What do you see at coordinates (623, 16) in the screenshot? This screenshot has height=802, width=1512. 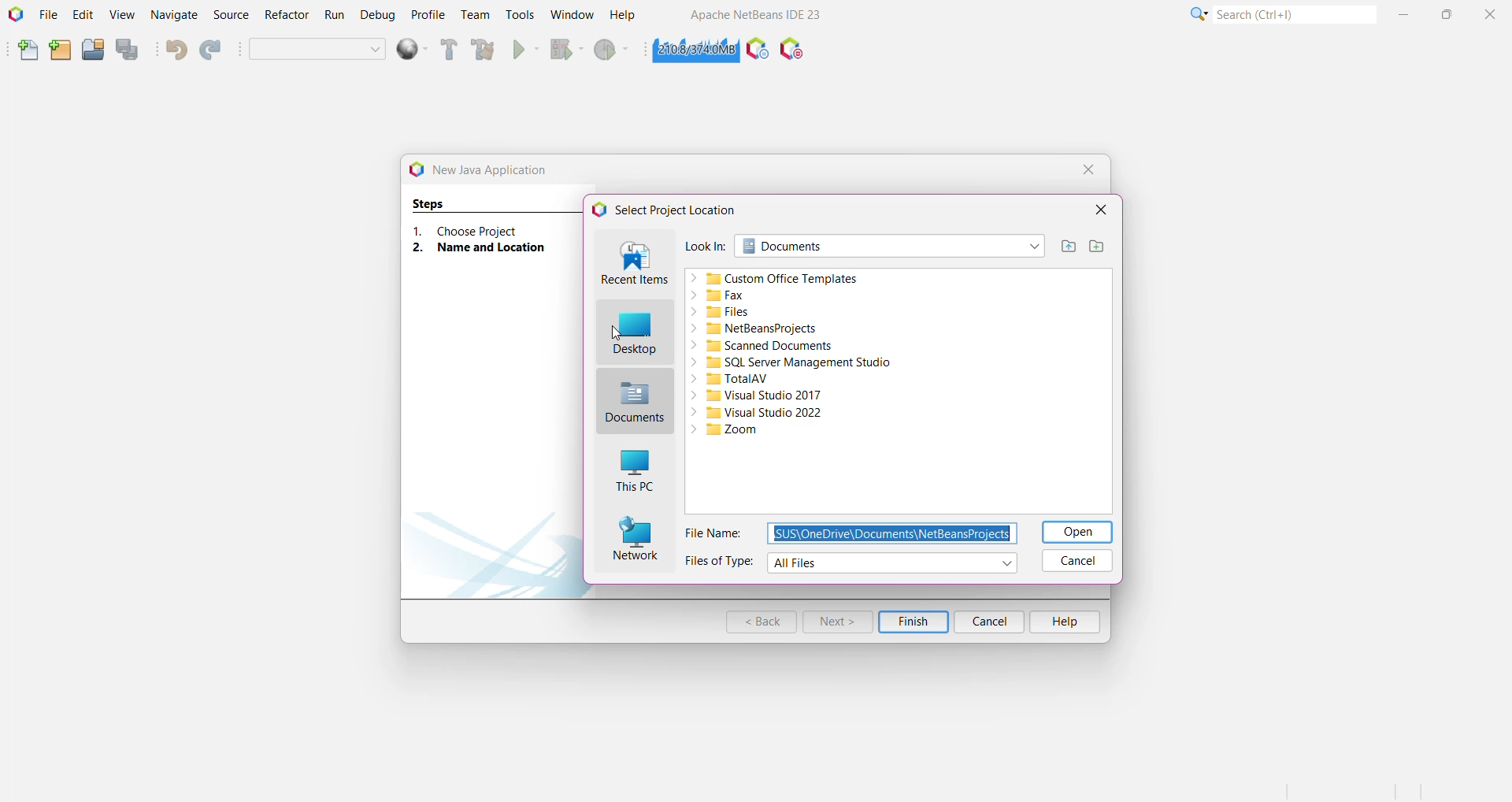 I see `Help` at bounding box center [623, 16].